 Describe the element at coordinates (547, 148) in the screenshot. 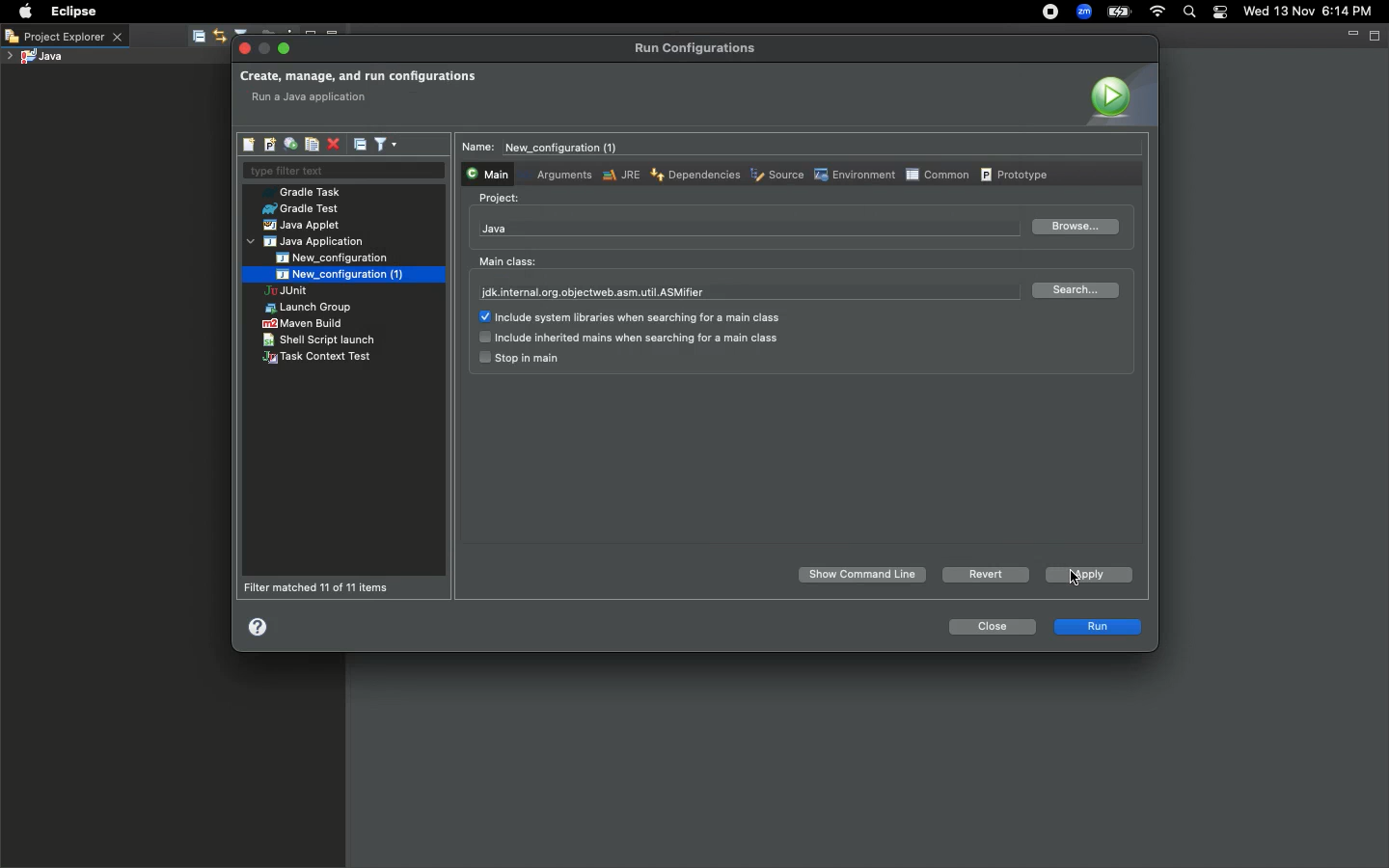

I see `Name: New_configuration_(1)` at that location.